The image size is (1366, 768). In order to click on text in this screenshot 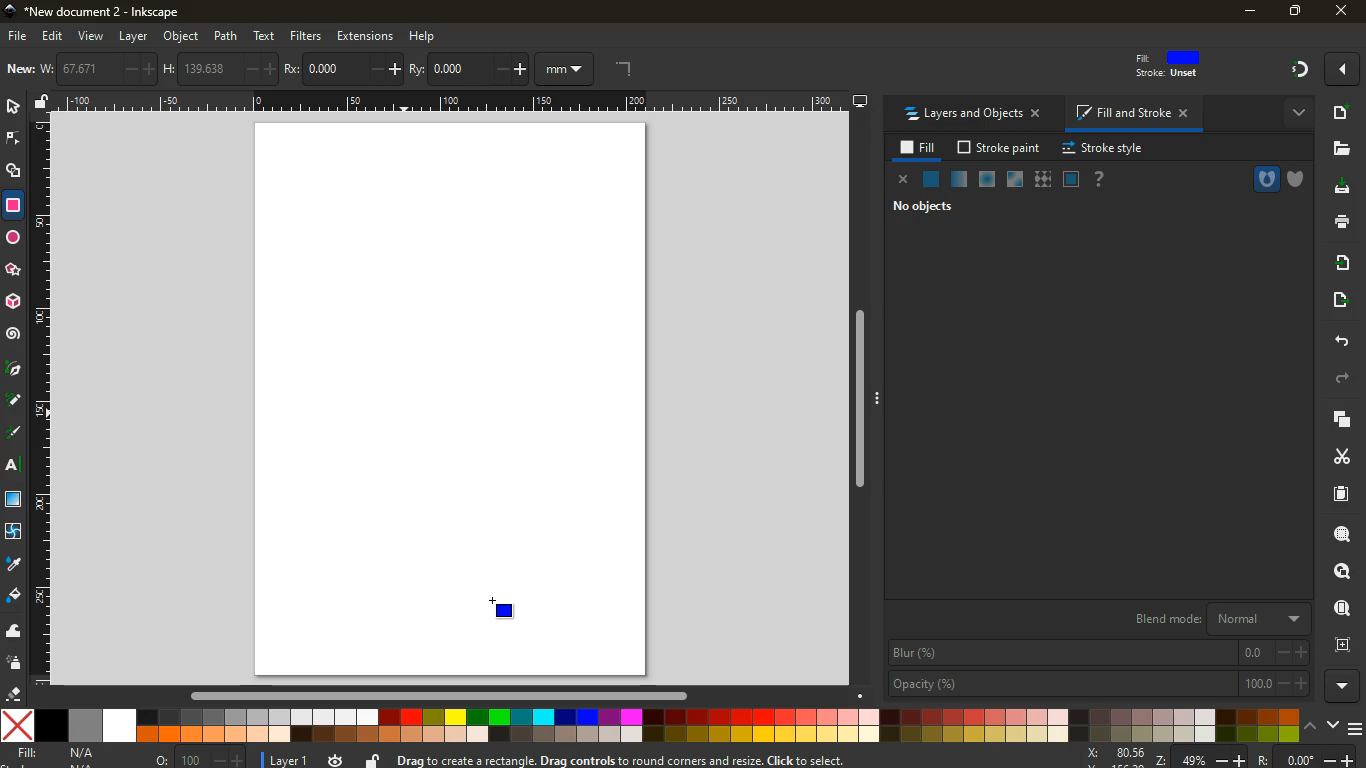, I will do `click(265, 36)`.